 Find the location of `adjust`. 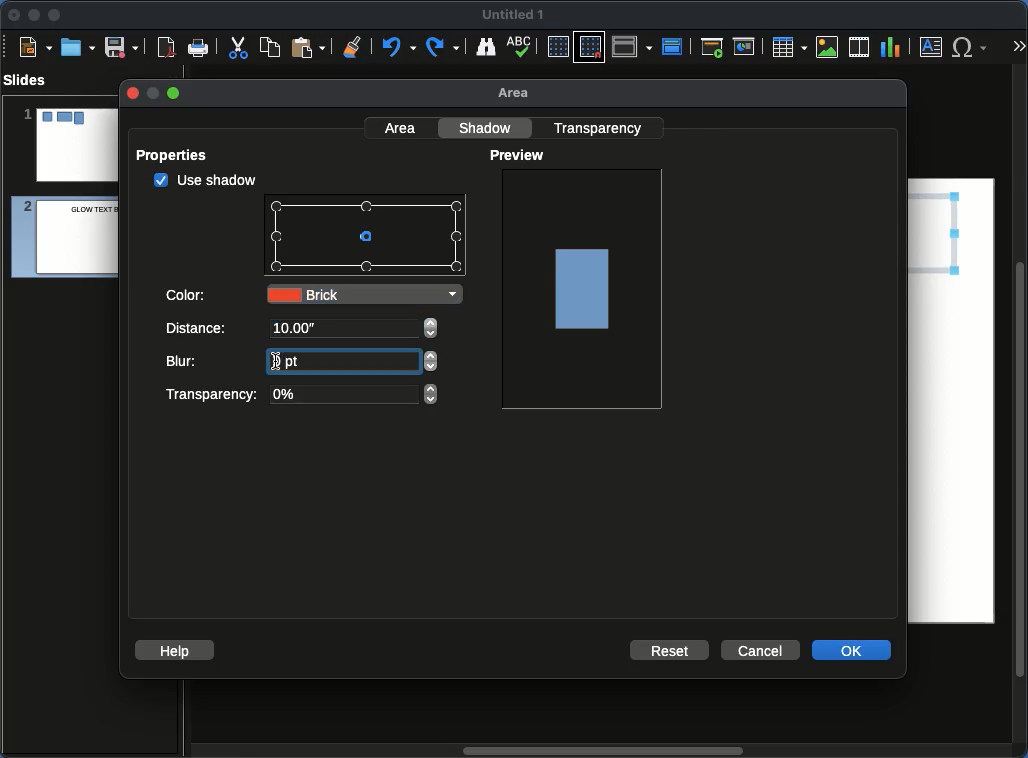

adjust is located at coordinates (431, 361).